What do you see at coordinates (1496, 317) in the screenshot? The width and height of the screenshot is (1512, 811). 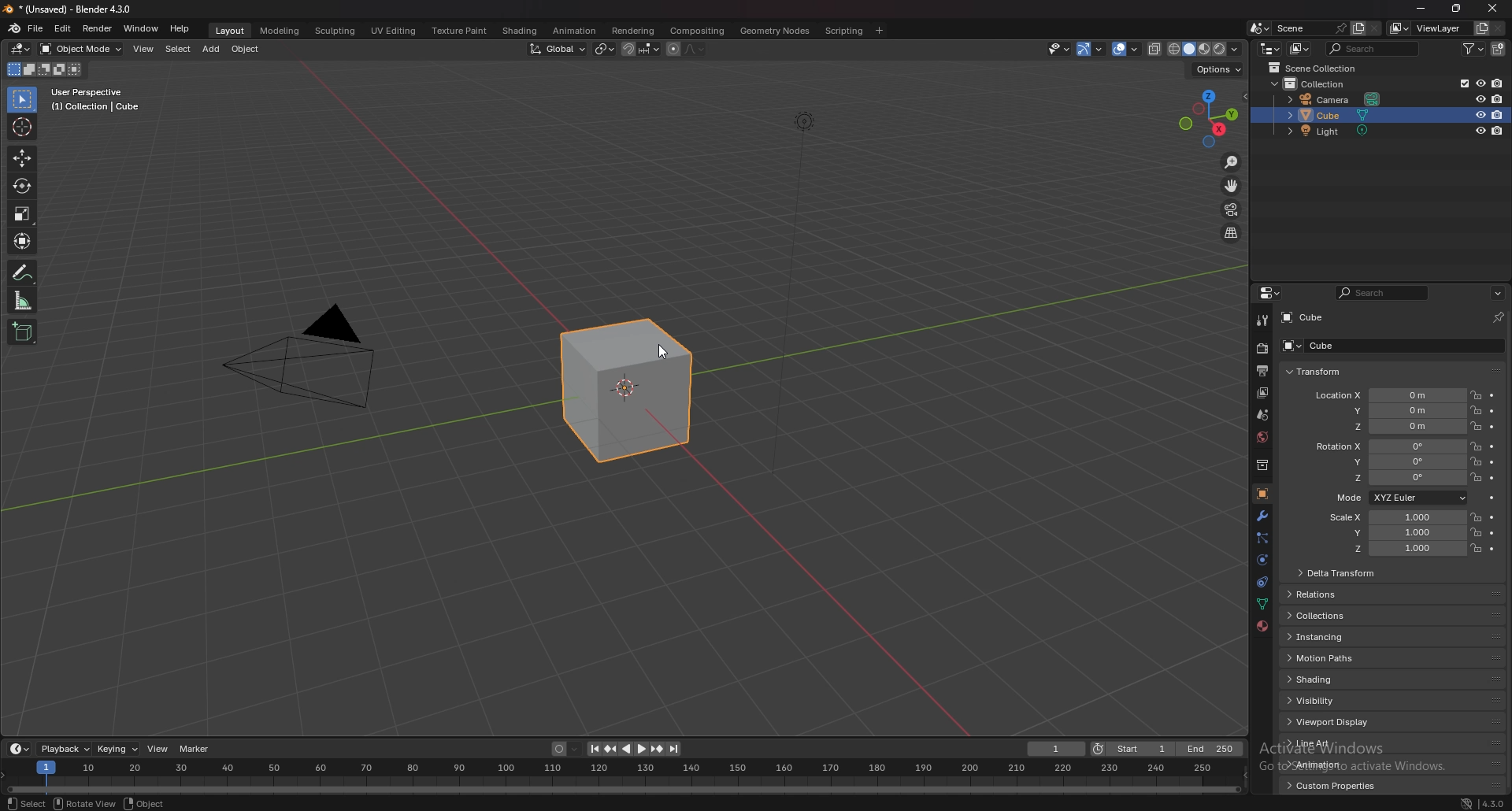 I see `pin` at bounding box center [1496, 317].